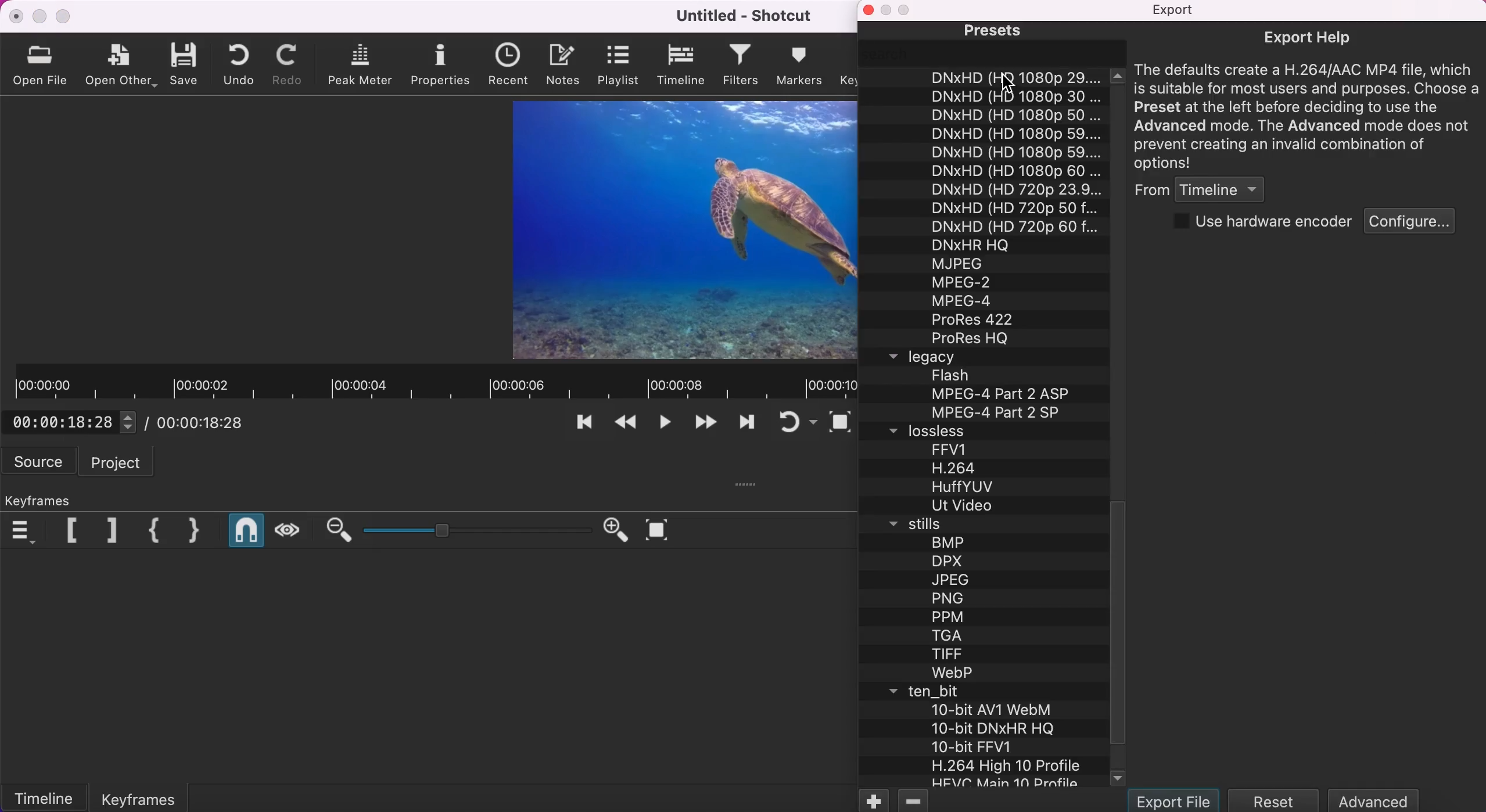 The height and width of the screenshot is (812, 1486). Describe the element at coordinates (841, 423) in the screenshot. I see `toggle zoom` at that location.